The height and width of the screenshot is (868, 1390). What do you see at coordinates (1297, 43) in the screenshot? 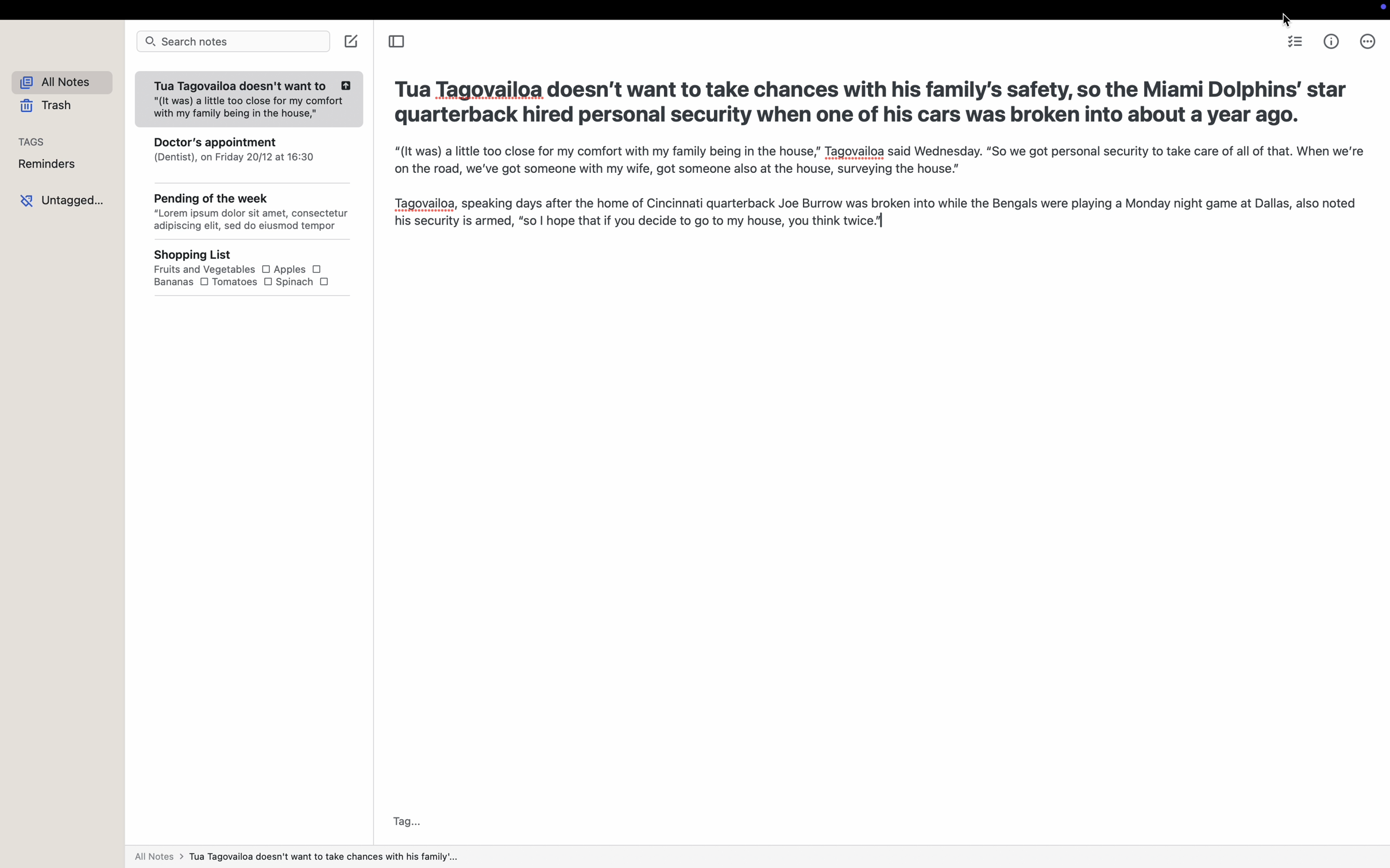
I see `check list` at bounding box center [1297, 43].